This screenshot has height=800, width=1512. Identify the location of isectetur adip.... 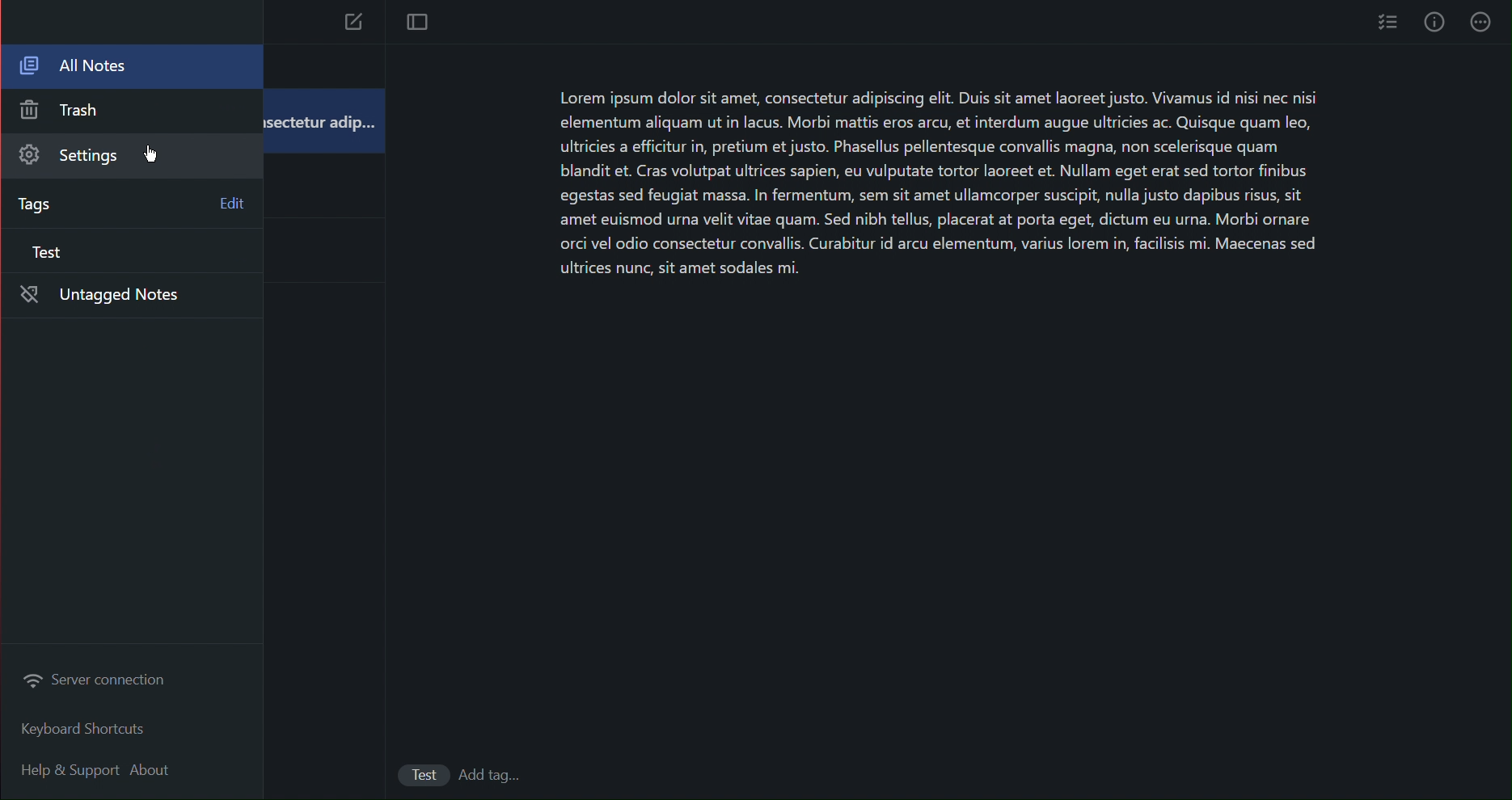
(322, 119).